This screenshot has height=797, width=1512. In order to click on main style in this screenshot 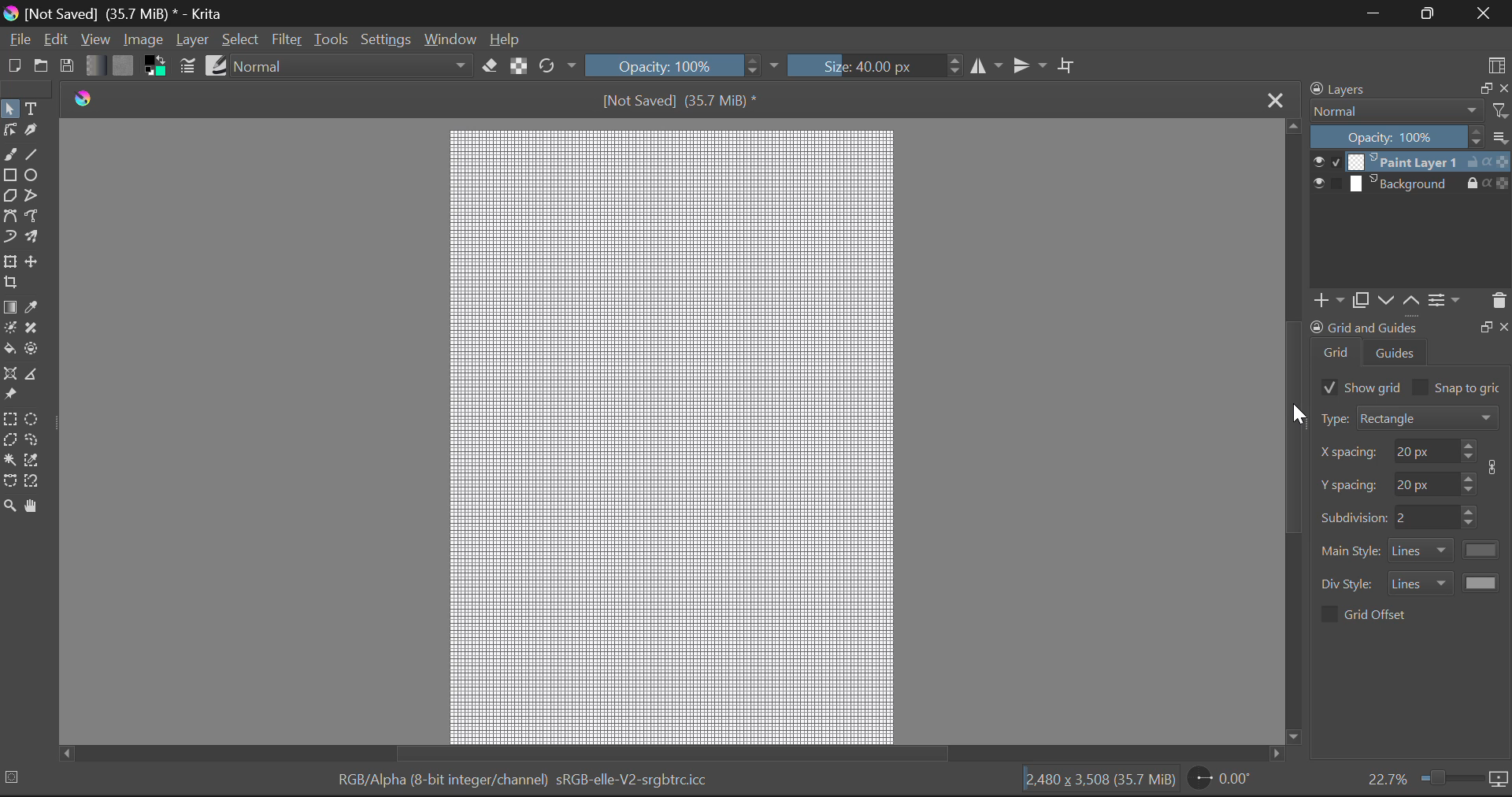, I will do `click(1351, 551)`.